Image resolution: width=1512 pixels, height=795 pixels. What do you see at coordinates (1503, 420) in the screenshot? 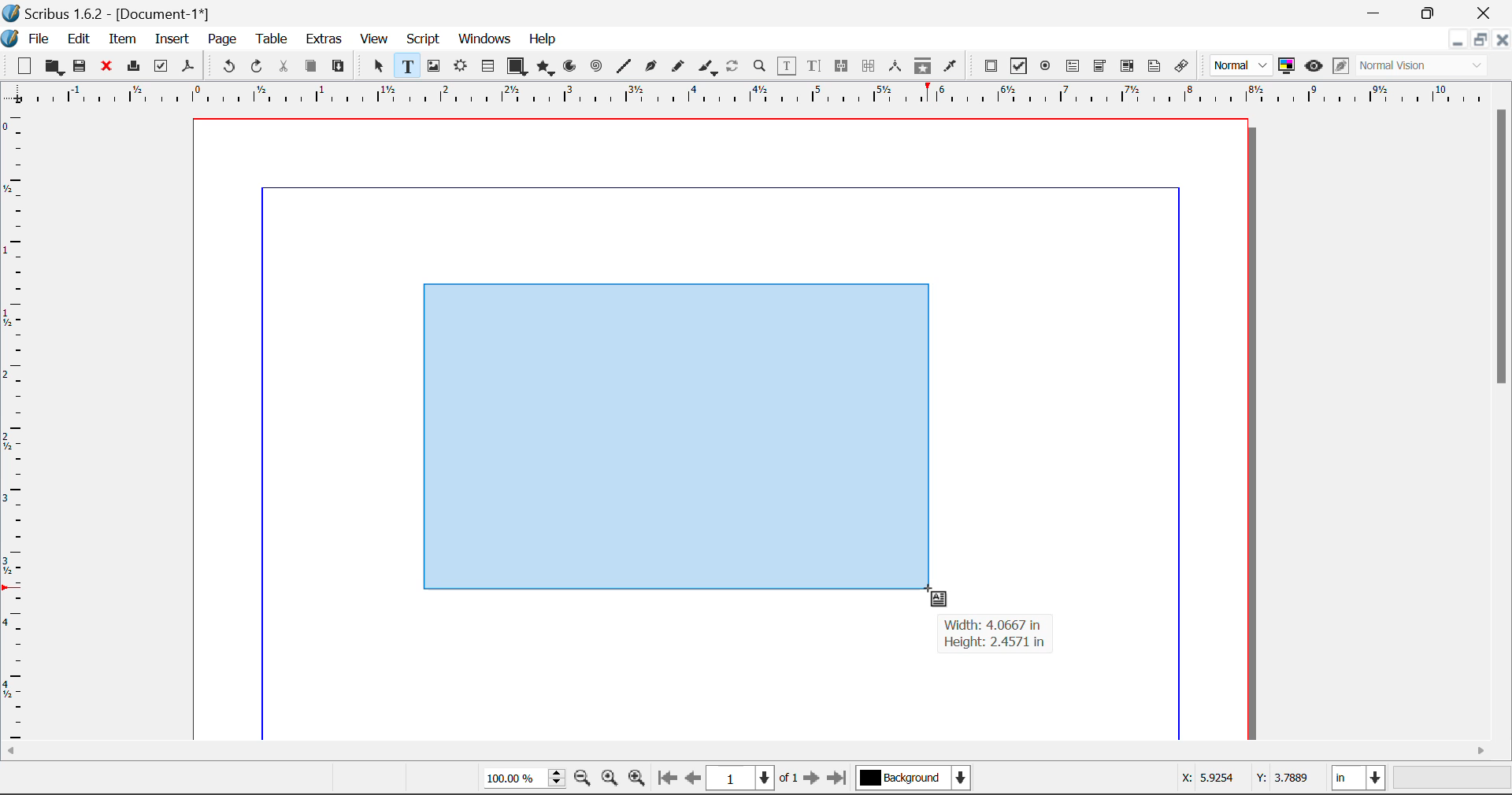
I see `Scroll Bar` at bounding box center [1503, 420].